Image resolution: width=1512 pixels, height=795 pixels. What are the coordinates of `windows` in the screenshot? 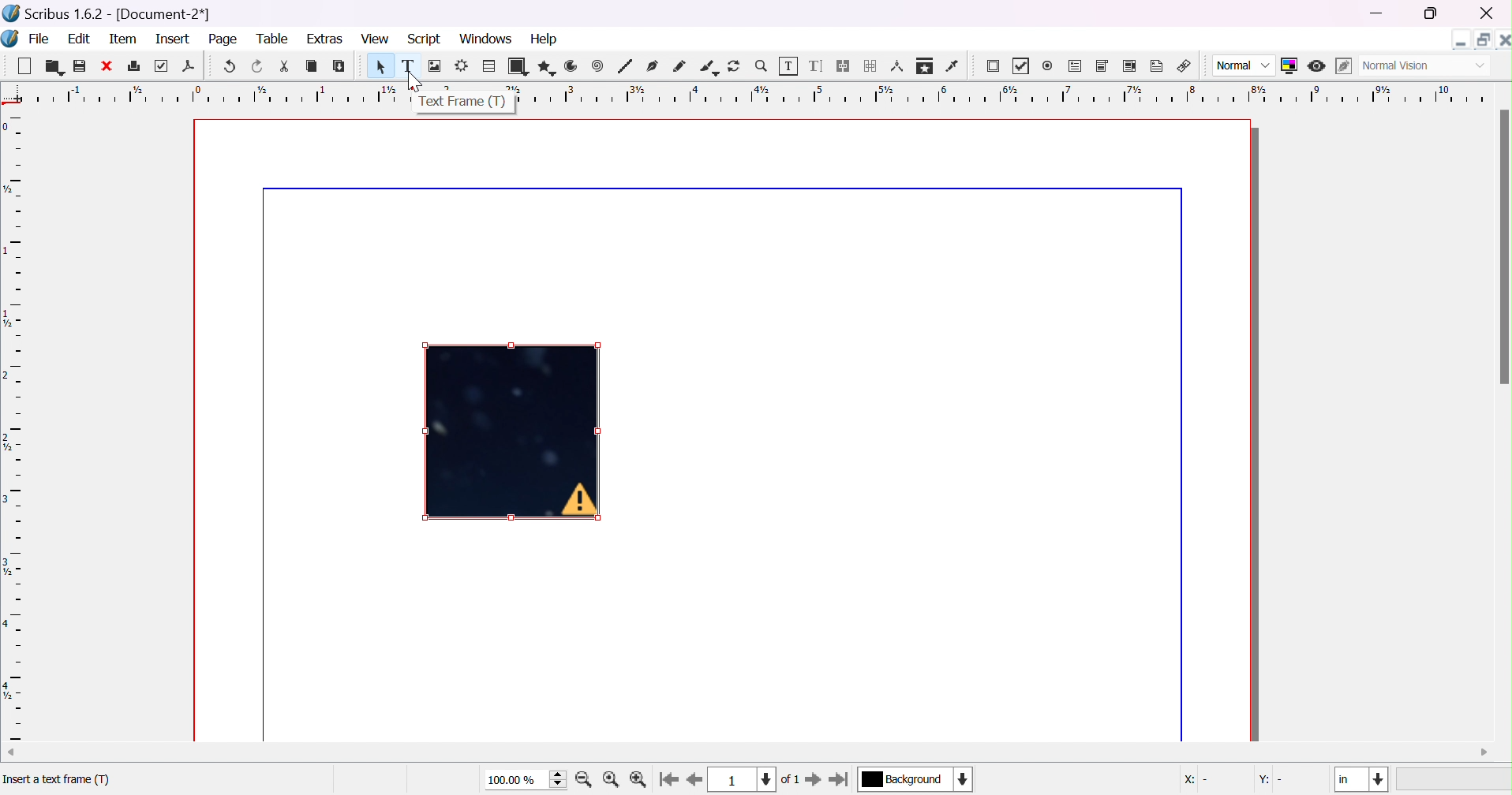 It's located at (485, 40).